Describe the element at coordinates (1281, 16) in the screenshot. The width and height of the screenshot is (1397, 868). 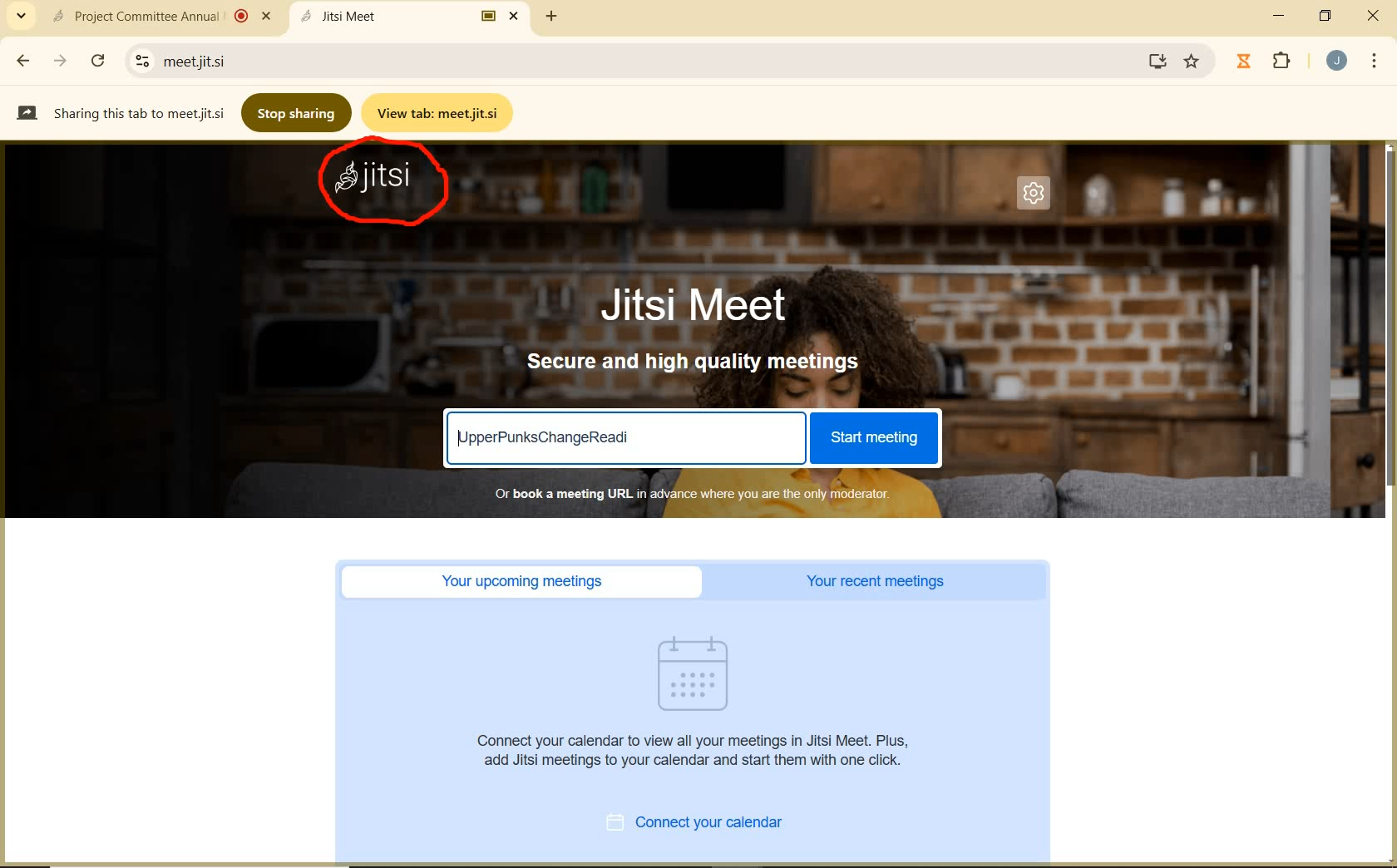
I see `MINIMIZE` at that location.